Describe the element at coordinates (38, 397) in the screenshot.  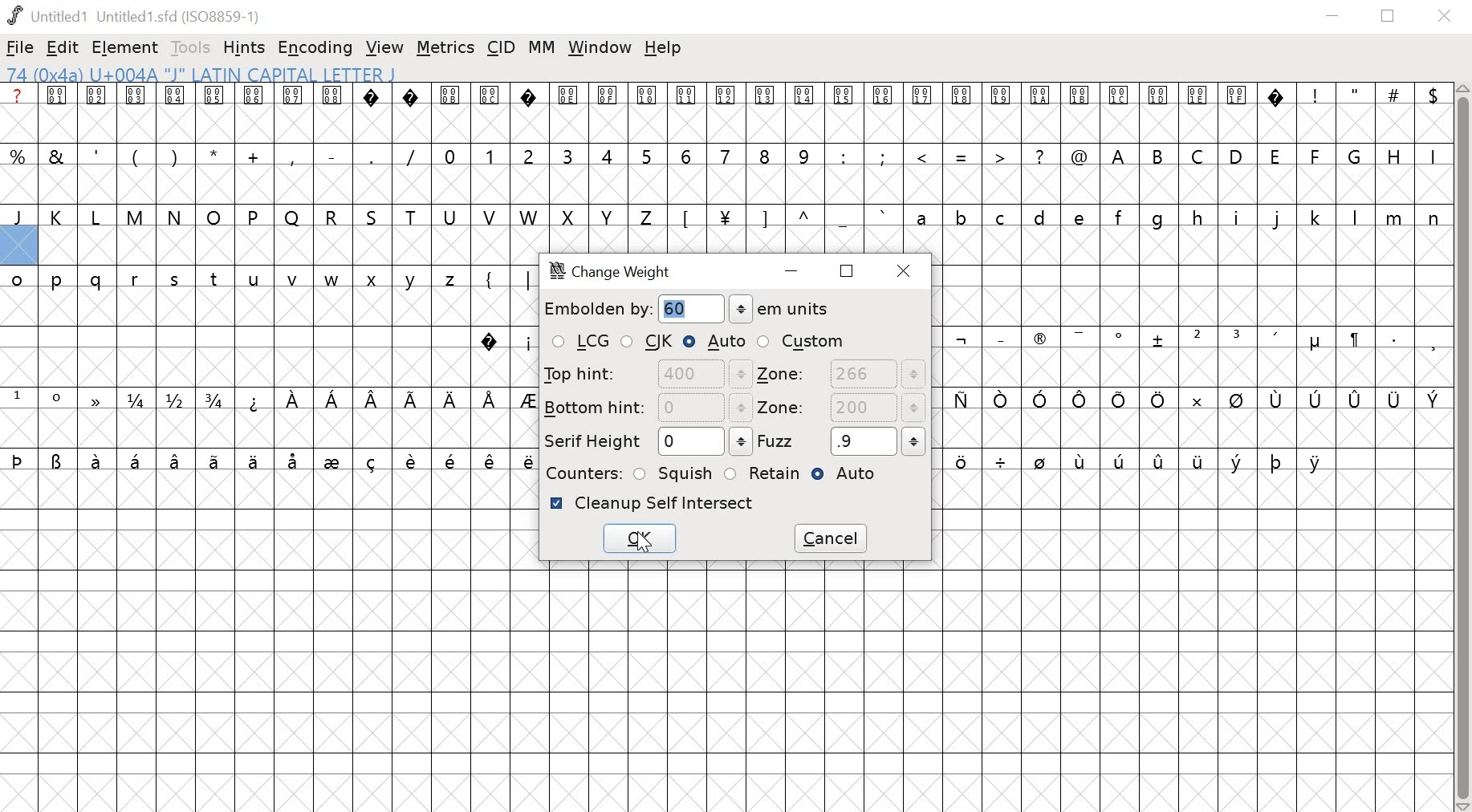
I see `superscript numbers` at that location.